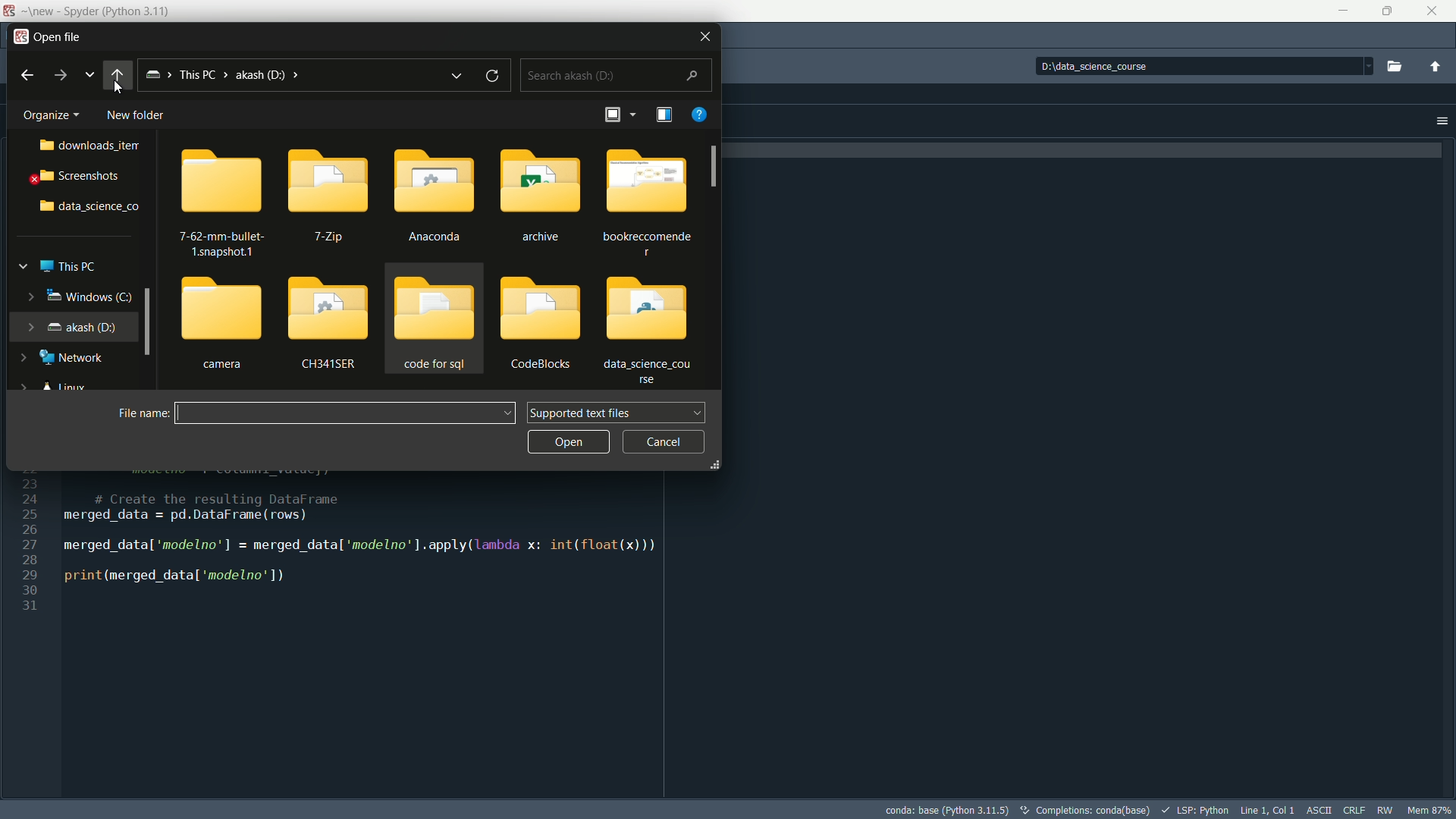 The image size is (1456, 819). What do you see at coordinates (136, 115) in the screenshot?
I see `new folder` at bounding box center [136, 115].